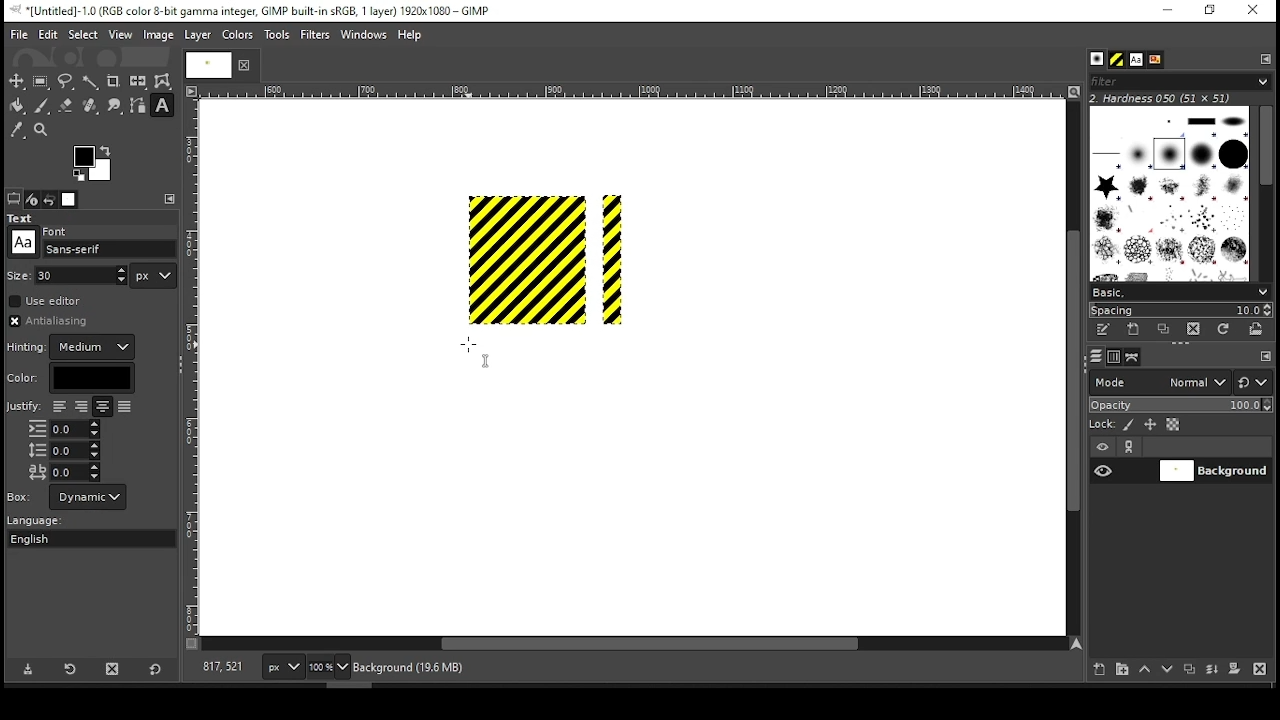 Image resolution: width=1280 pixels, height=720 pixels. I want to click on lock alpha channel, so click(1172, 425).